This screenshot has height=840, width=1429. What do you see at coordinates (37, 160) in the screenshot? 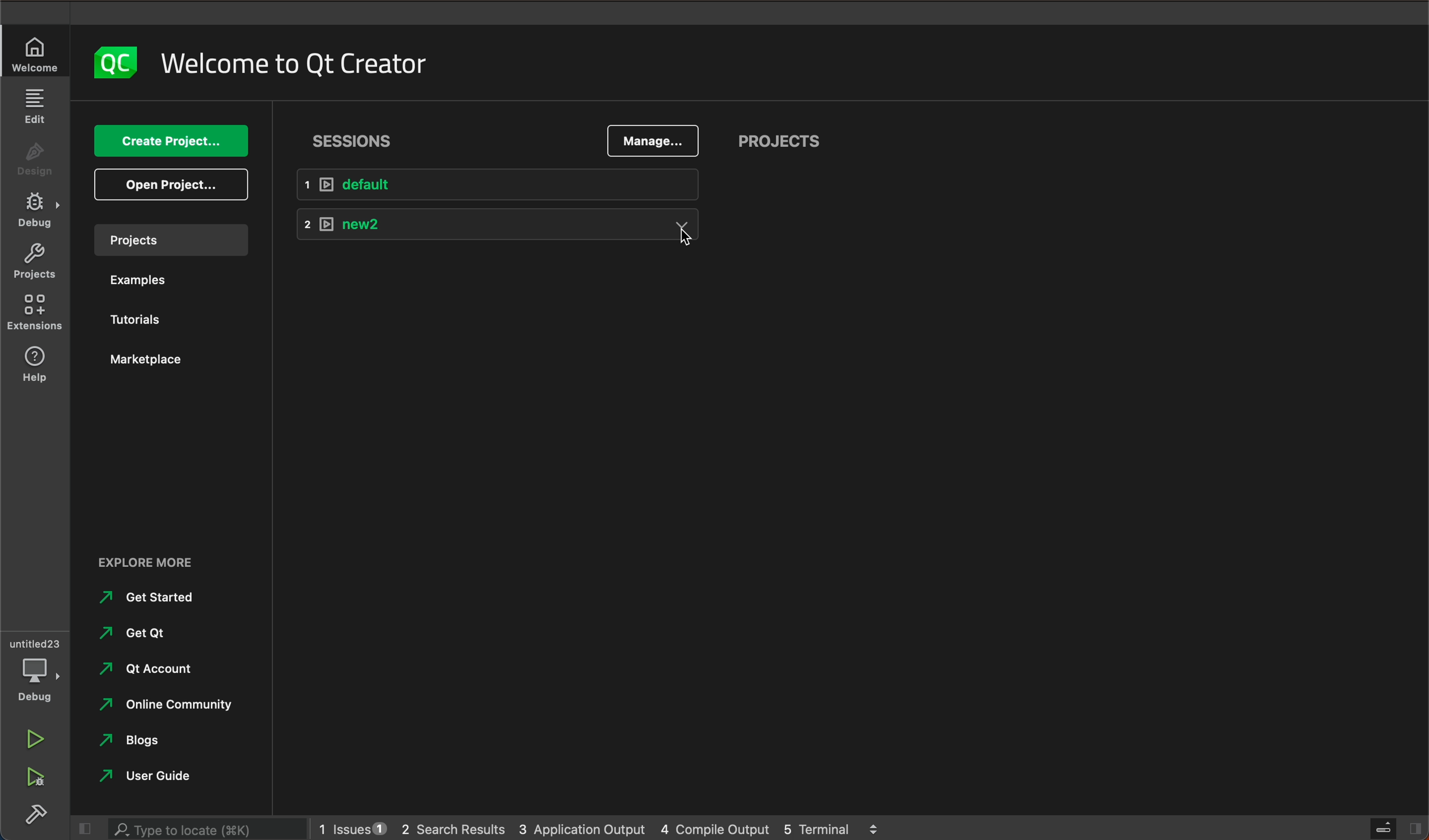
I see `design` at bounding box center [37, 160].